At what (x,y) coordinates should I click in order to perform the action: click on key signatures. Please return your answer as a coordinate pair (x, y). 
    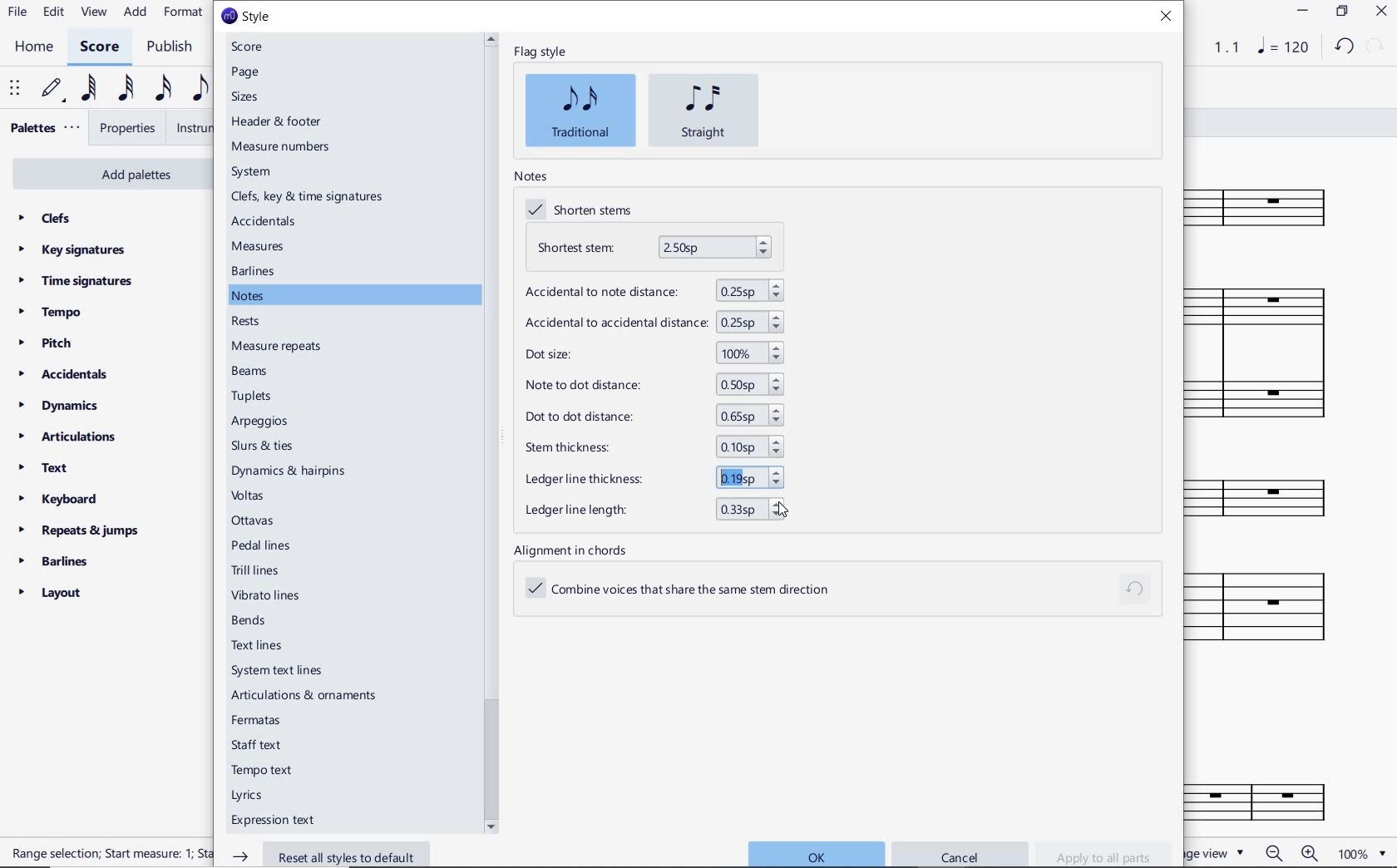
    Looking at the image, I should click on (72, 250).